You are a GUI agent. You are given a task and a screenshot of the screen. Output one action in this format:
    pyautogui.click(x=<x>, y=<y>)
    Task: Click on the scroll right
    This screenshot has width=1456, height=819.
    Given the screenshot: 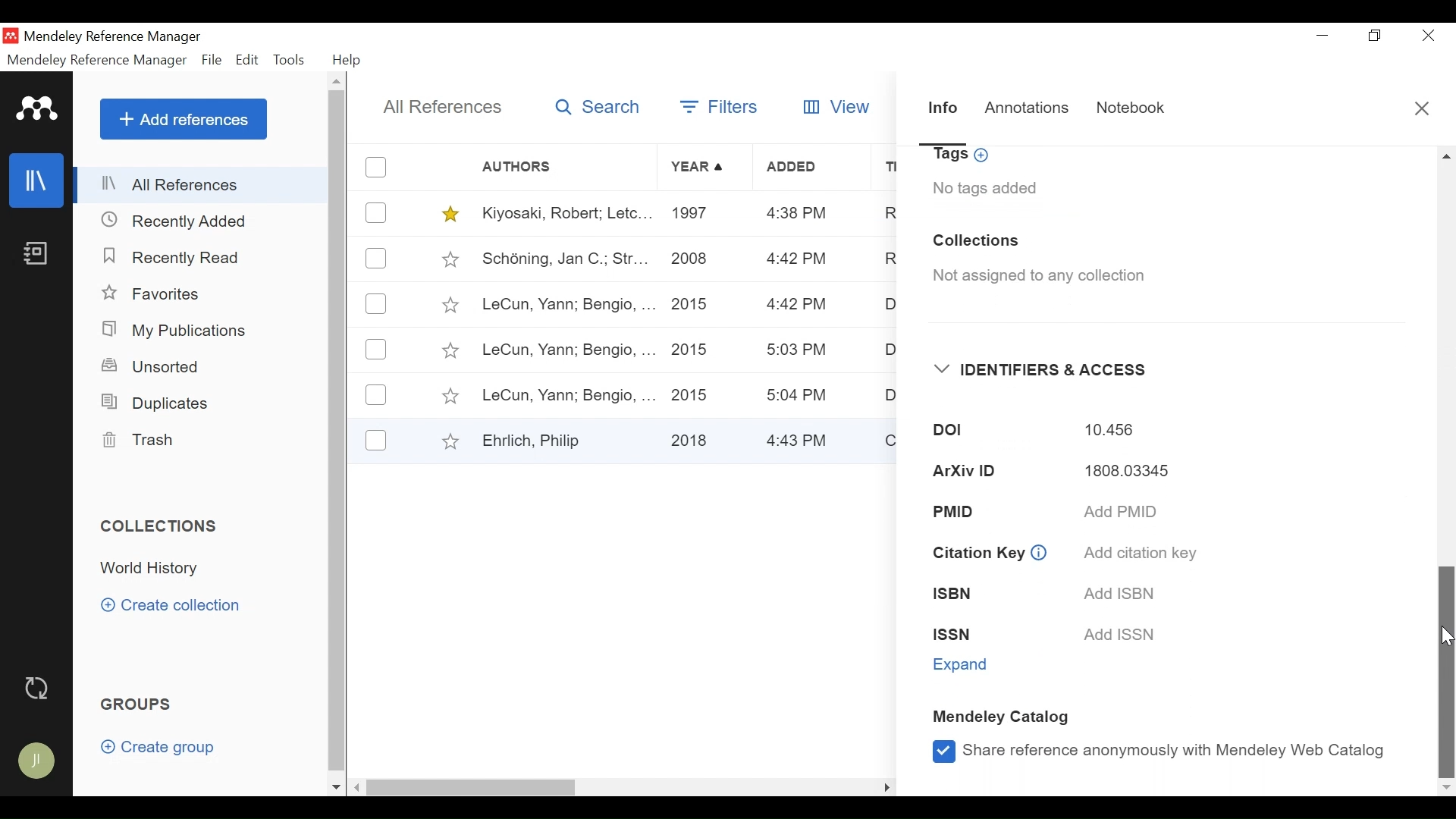 What is the action you would take?
    pyautogui.click(x=886, y=786)
    